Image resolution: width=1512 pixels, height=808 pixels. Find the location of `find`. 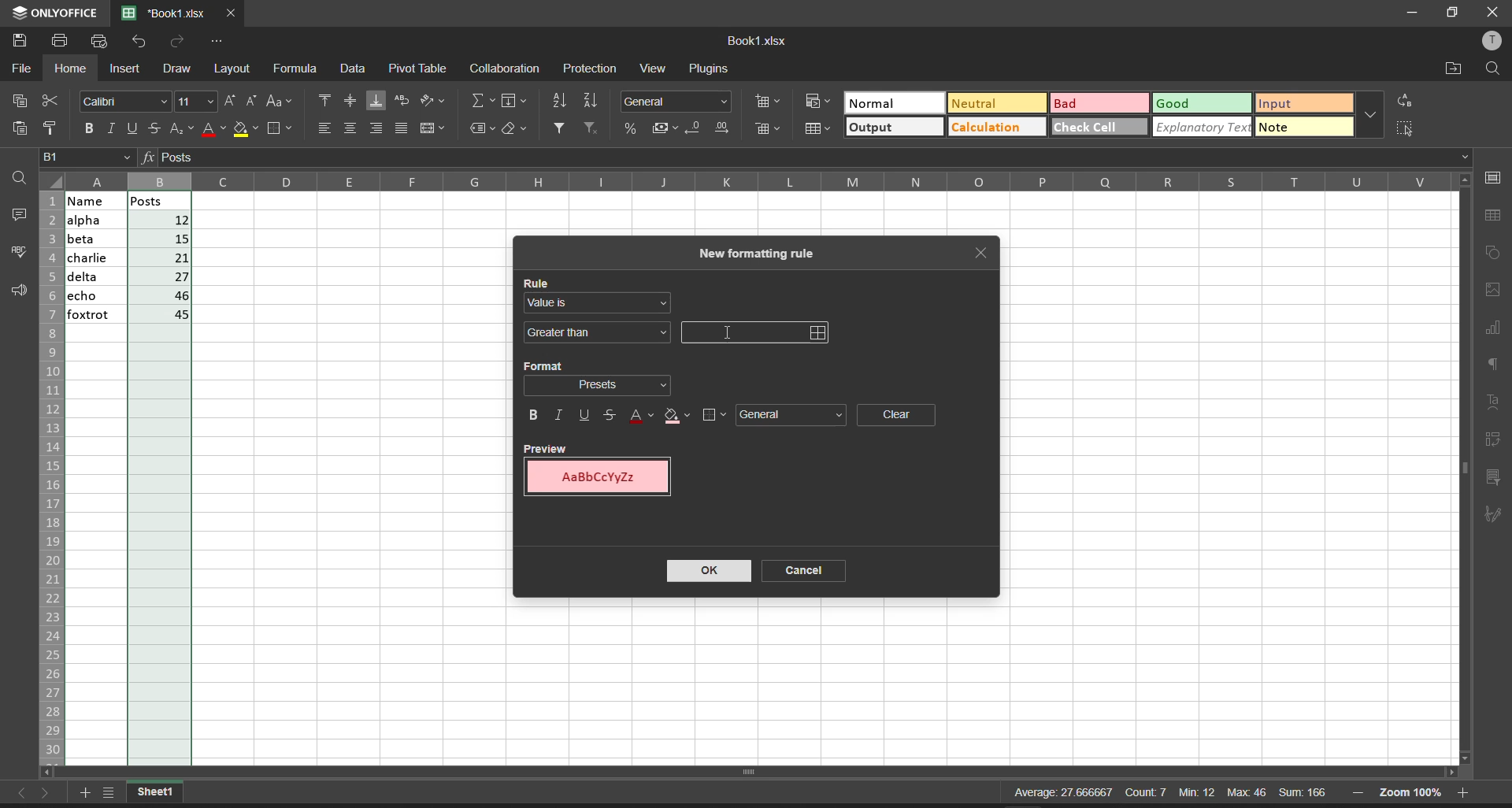

find is located at coordinates (22, 178).